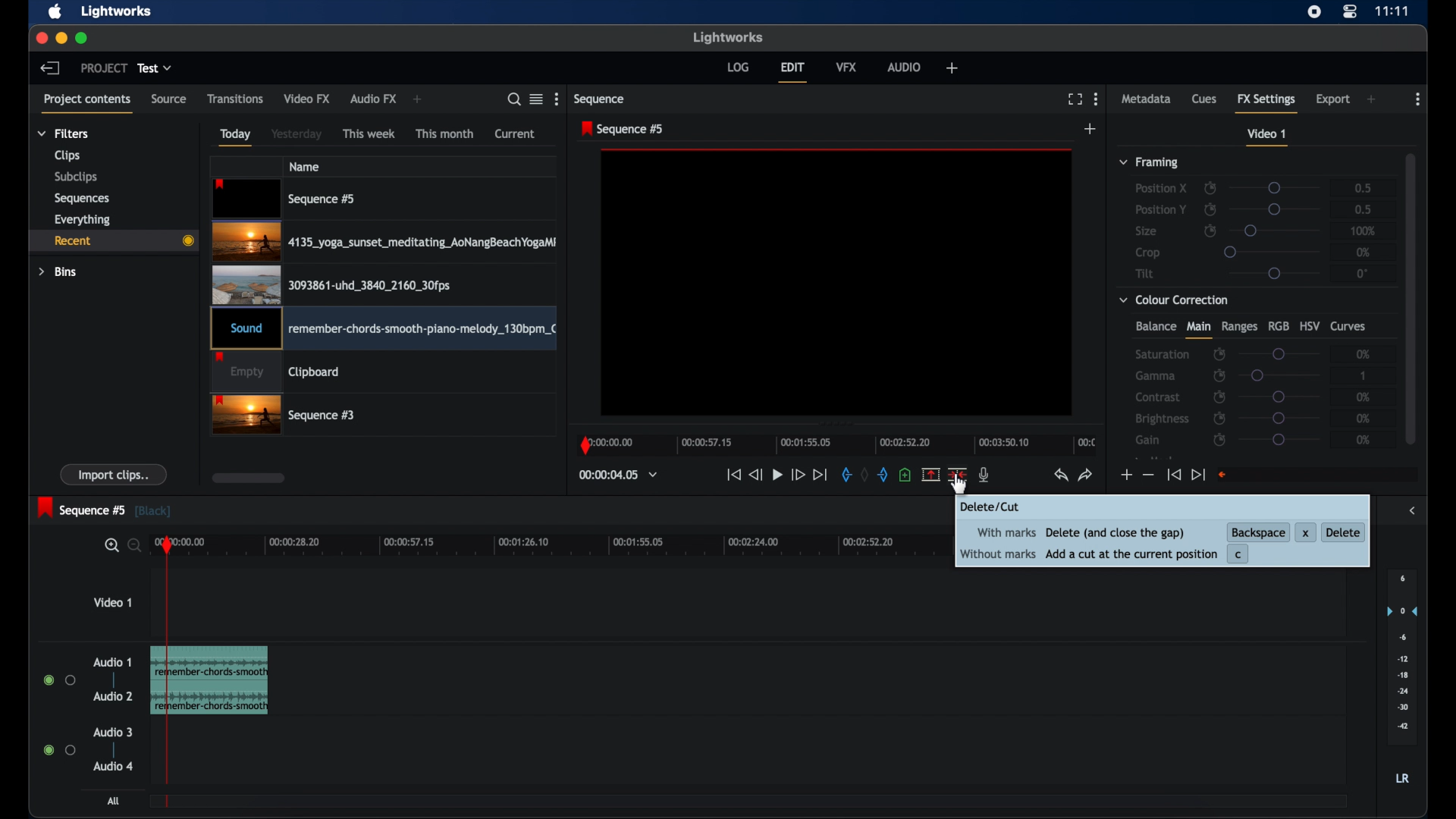  What do you see at coordinates (67, 155) in the screenshot?
I see `clips` at bounding box center [67, 155].